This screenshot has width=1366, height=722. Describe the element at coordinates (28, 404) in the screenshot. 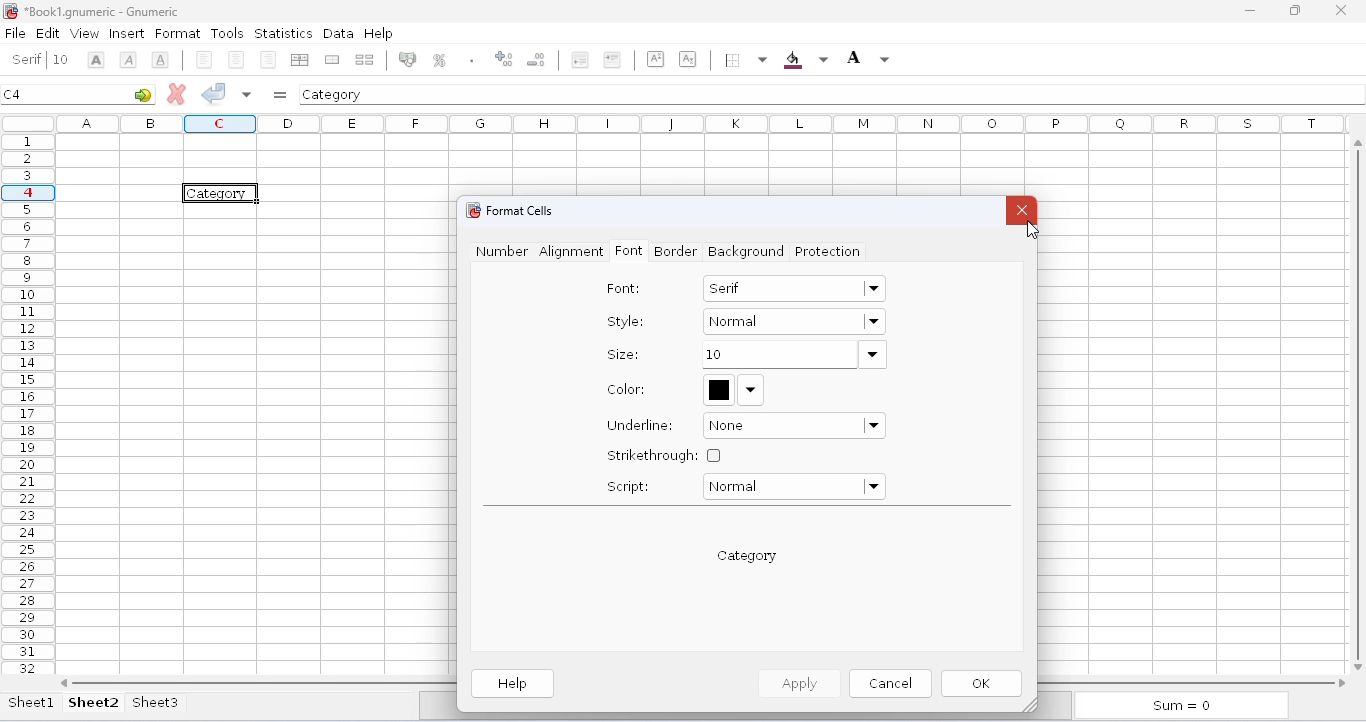

I see `rows` at that location.